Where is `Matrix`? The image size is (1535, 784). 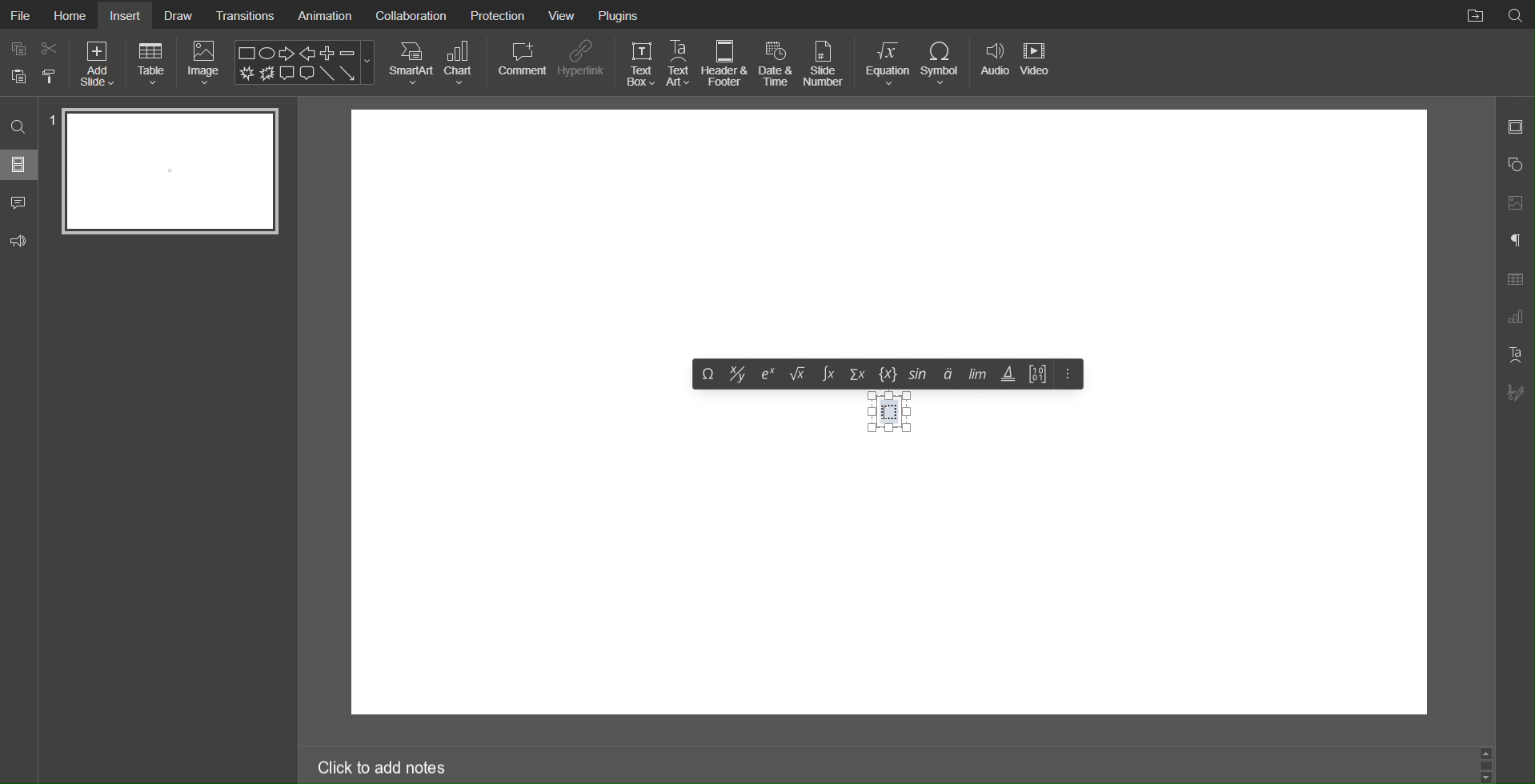 Matrix is located at coordinates (1038, 375).